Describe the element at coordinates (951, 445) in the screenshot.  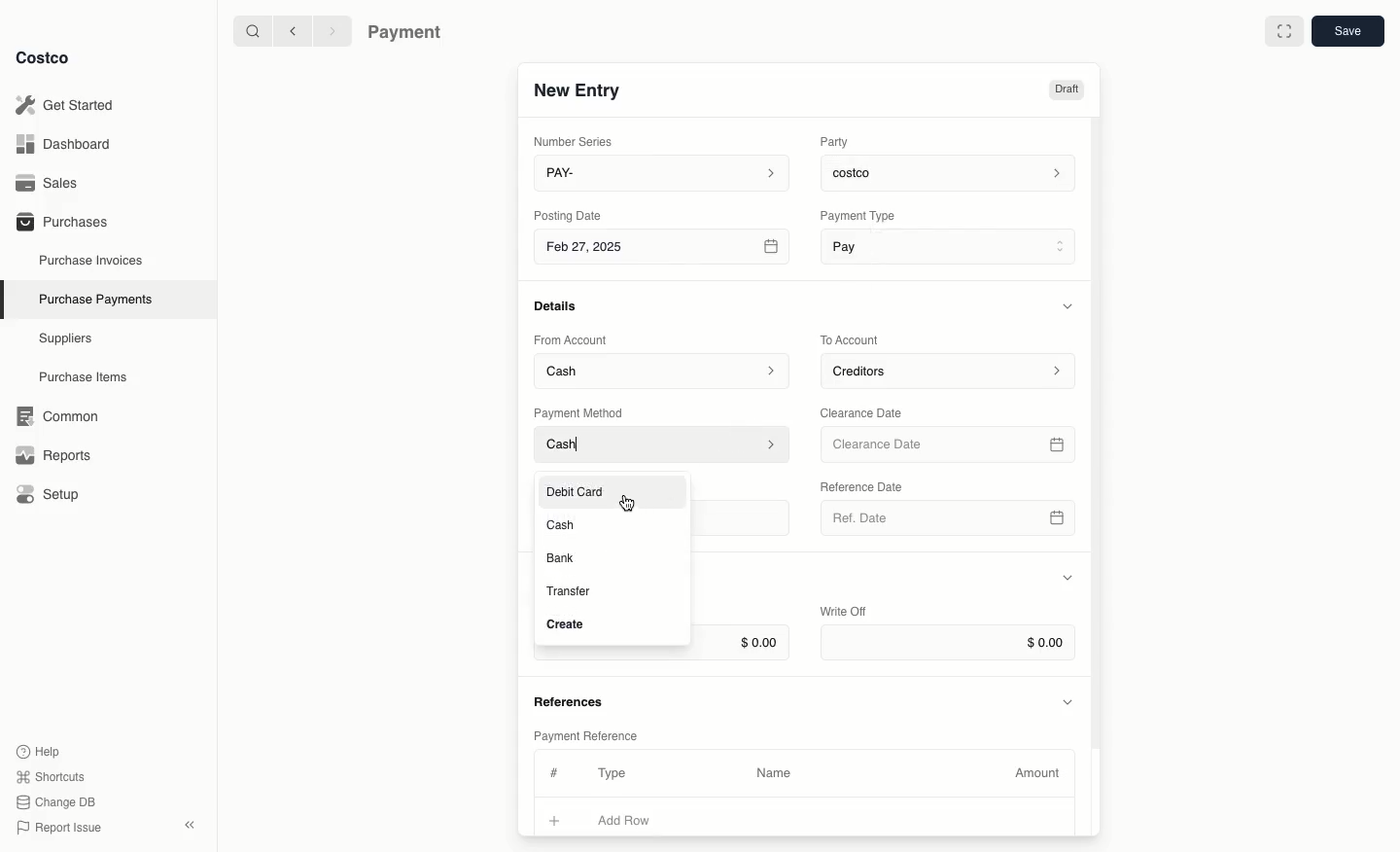
I see `Clearance Date` at that location.